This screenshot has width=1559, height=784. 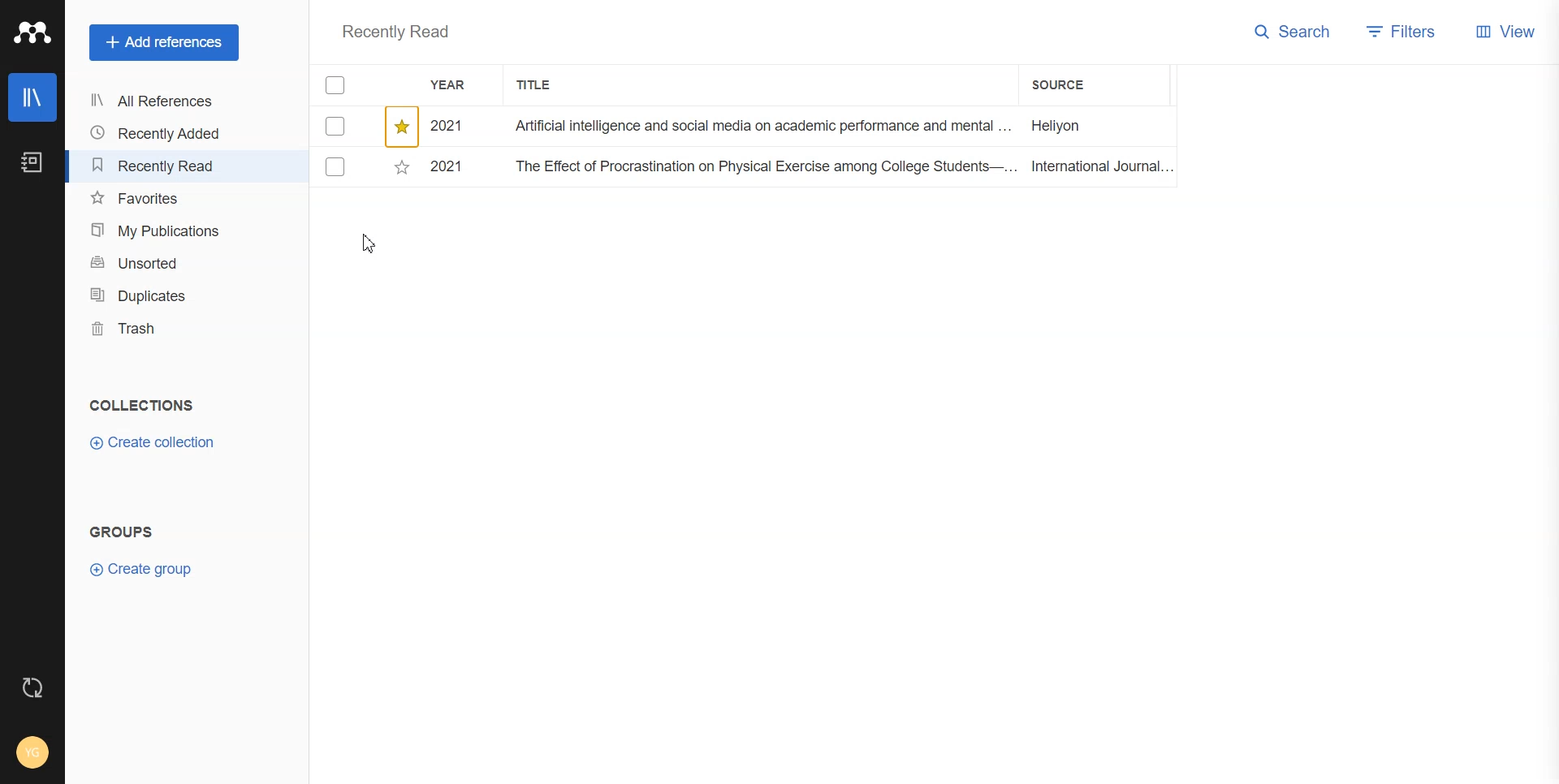 What do you see at coordinates (123, 530) in the screenshot?
I see `Text` at bounding box center [123, 530].